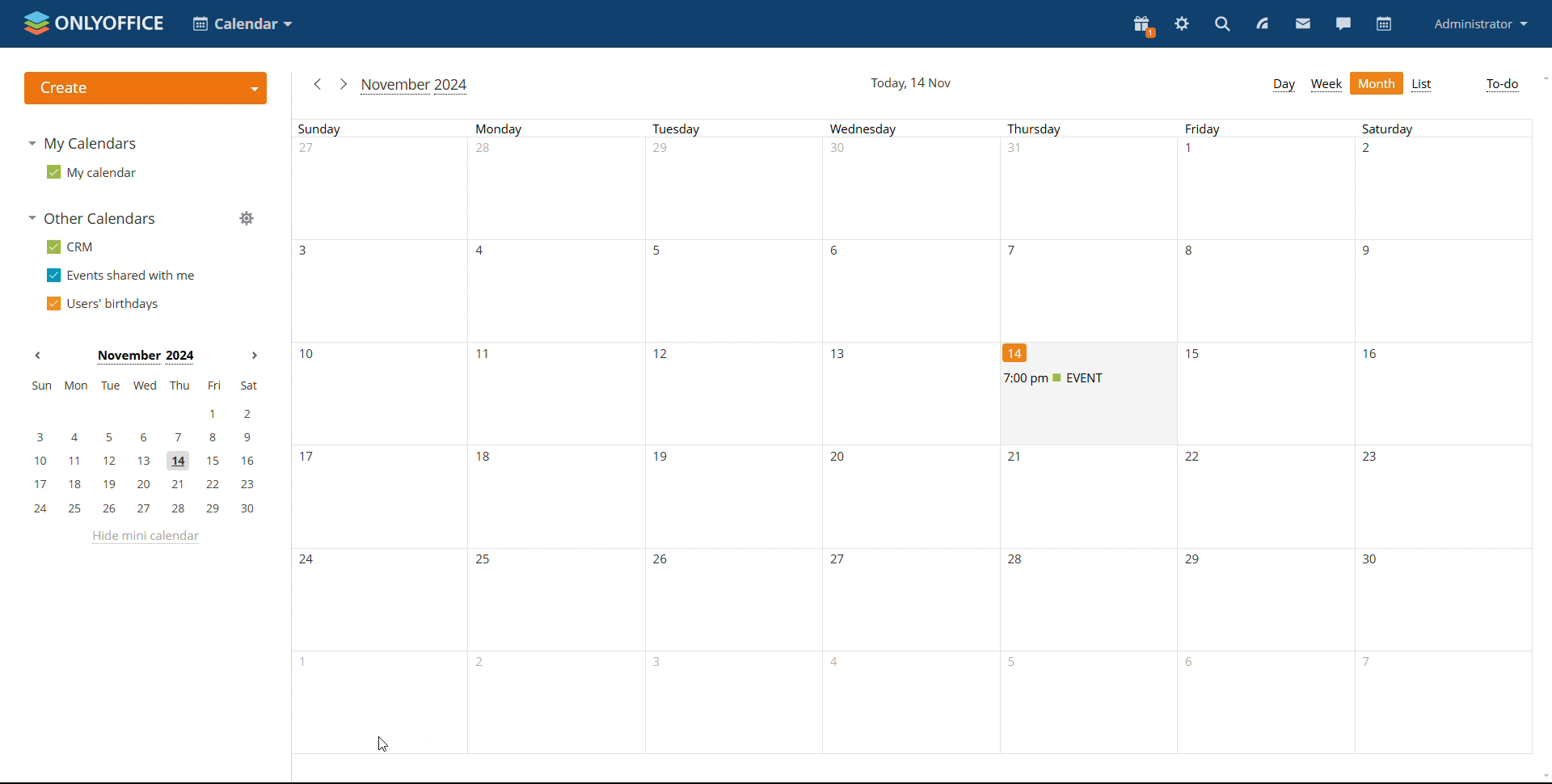 Image resolution: width=1552 pixels, height=784 pixels. What do you see at coordinates (1423, 85) in the screenshot?
I see `list view` at bounding box center [1423, 85].